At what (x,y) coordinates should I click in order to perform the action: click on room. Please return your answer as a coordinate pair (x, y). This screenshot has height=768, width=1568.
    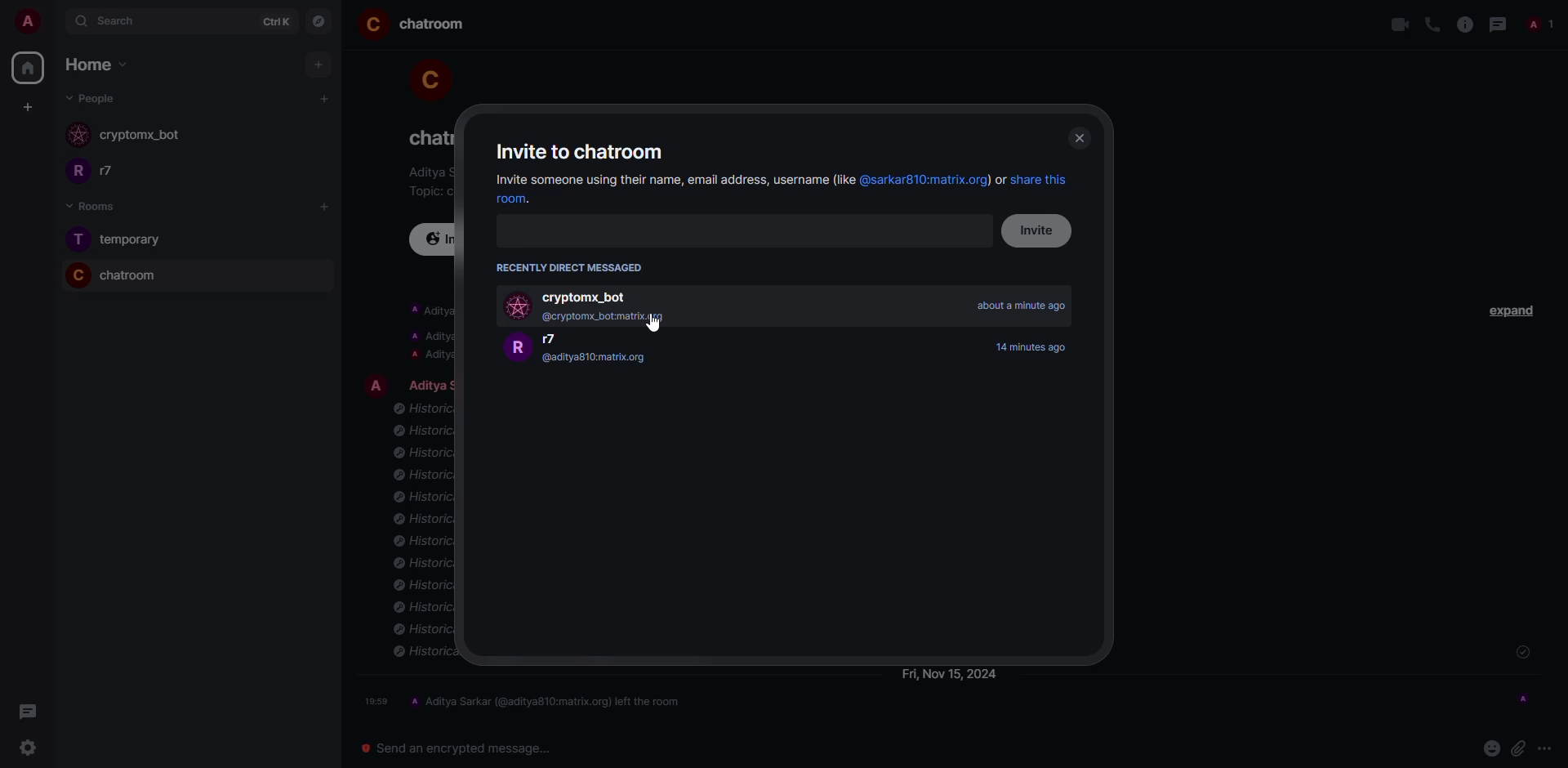
    Looking at the image, I should click on (434, 25).